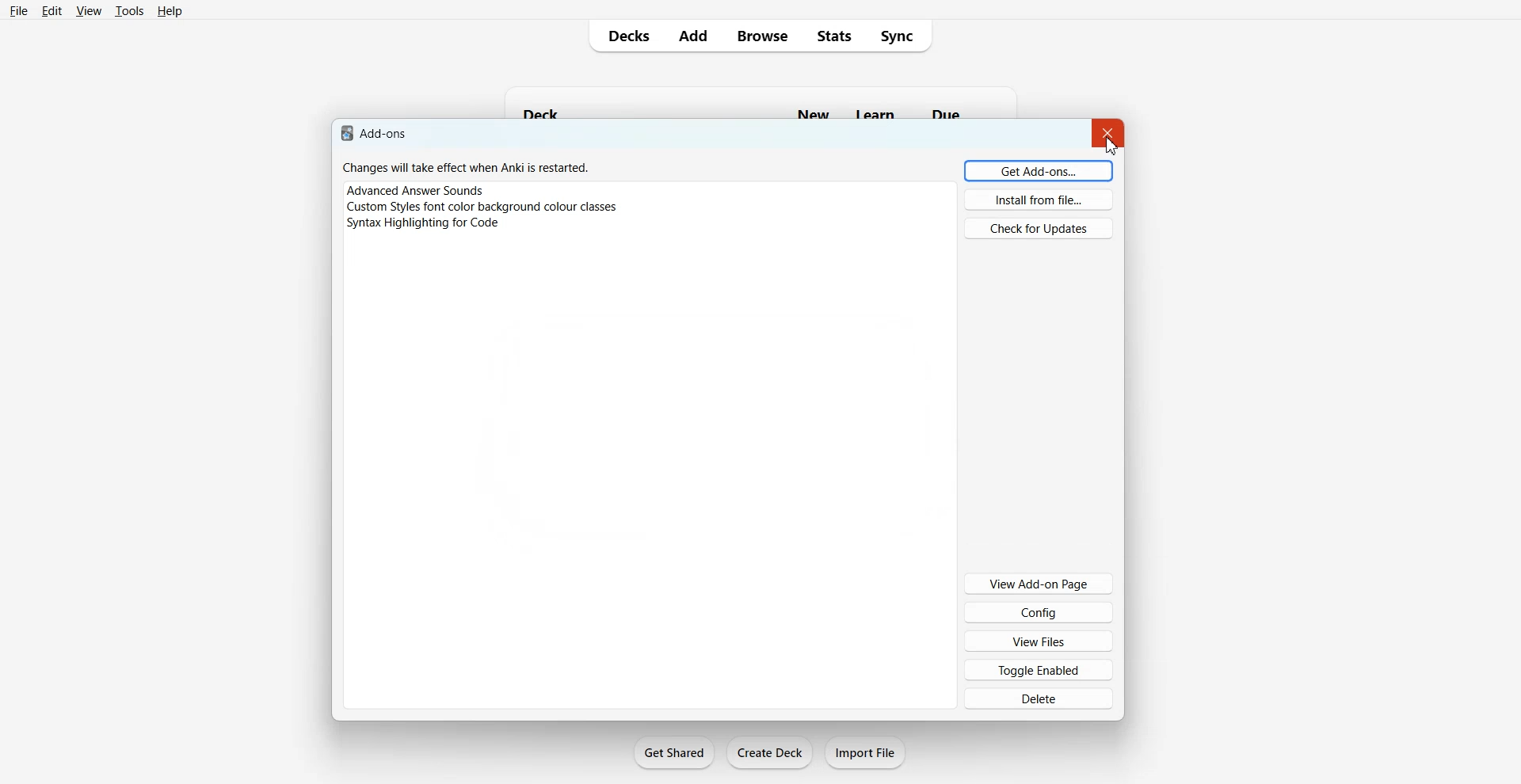 This screenshot has width=1521, height=784. Describe the element at coordinates (674, 752) in the screenshot. I see `Get Shared` at that location.